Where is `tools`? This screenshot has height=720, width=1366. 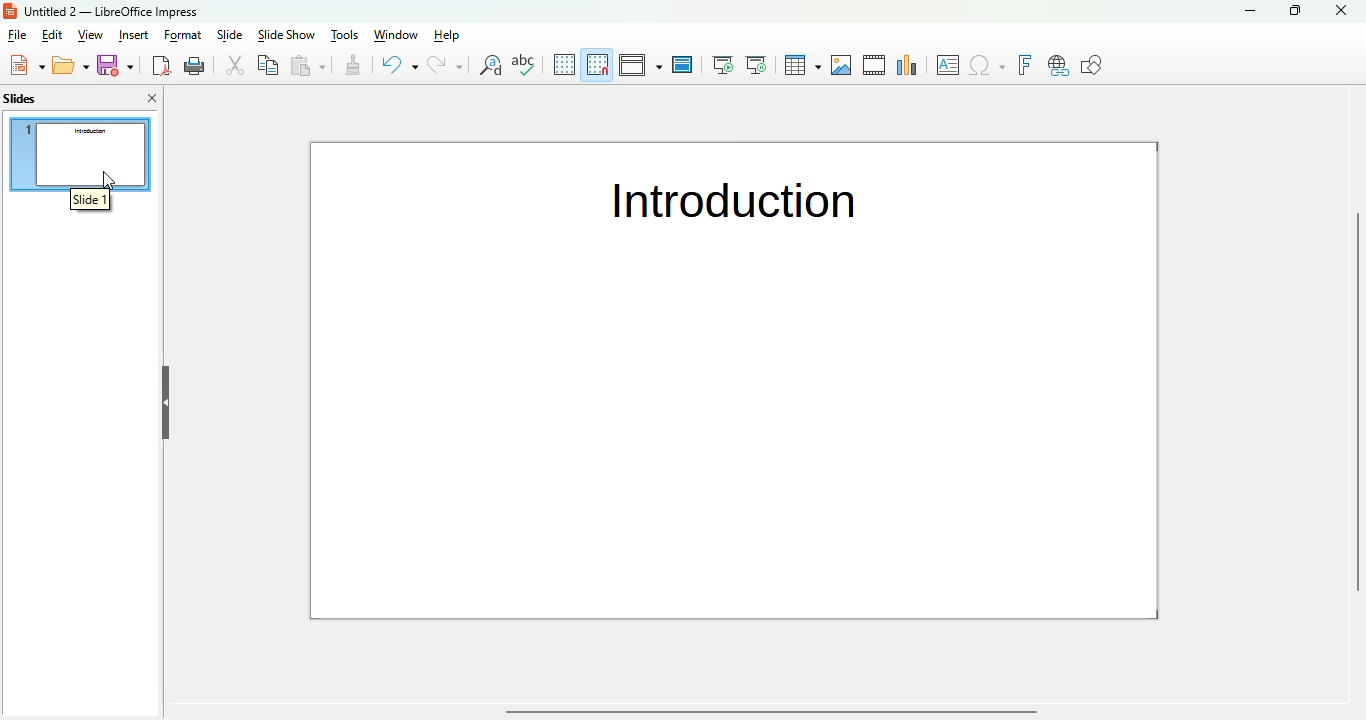 tools is located at coordinates (343, 35).